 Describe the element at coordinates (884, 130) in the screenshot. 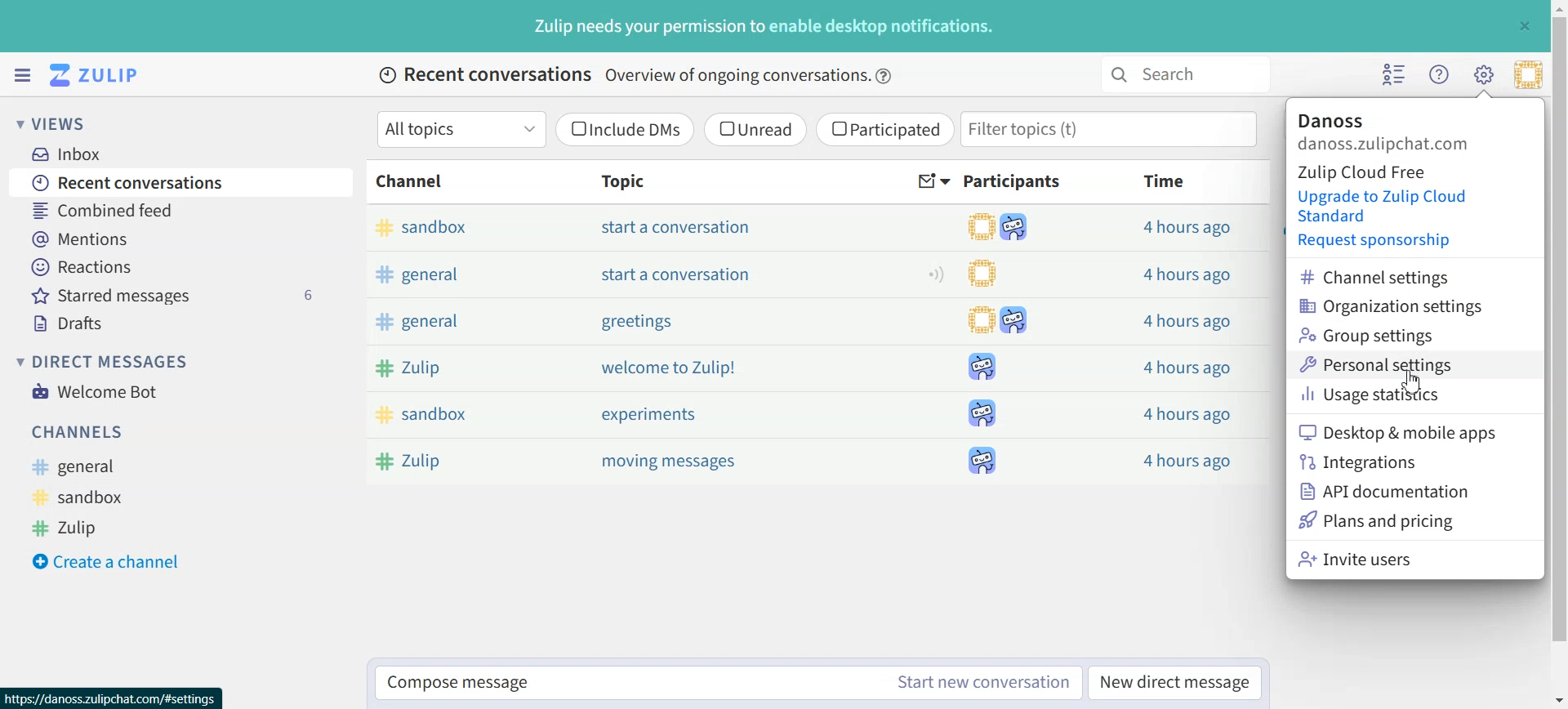

I see `Participated` at that location.